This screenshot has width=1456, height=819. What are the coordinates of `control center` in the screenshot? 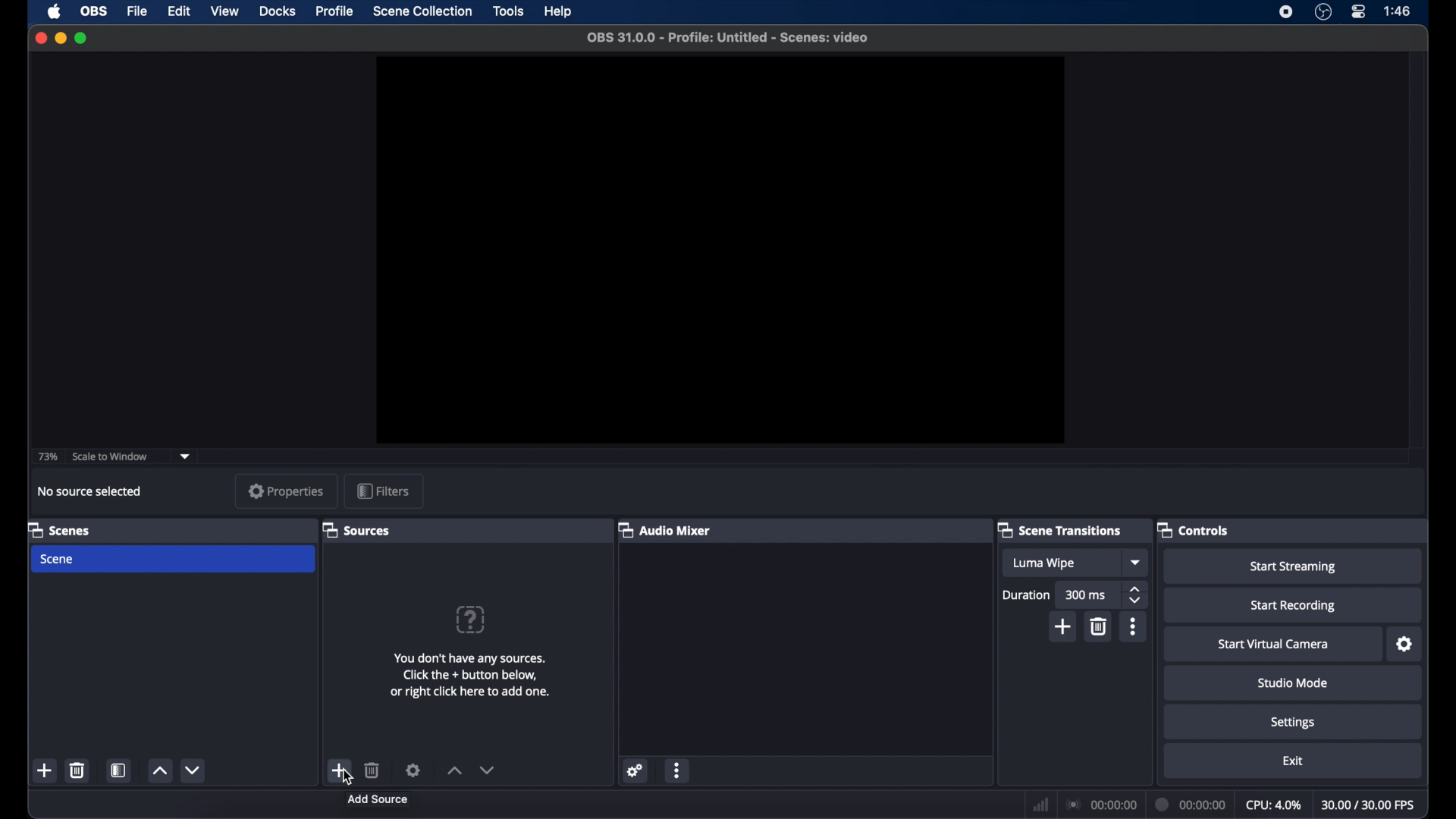 It's located at (1359, 11).